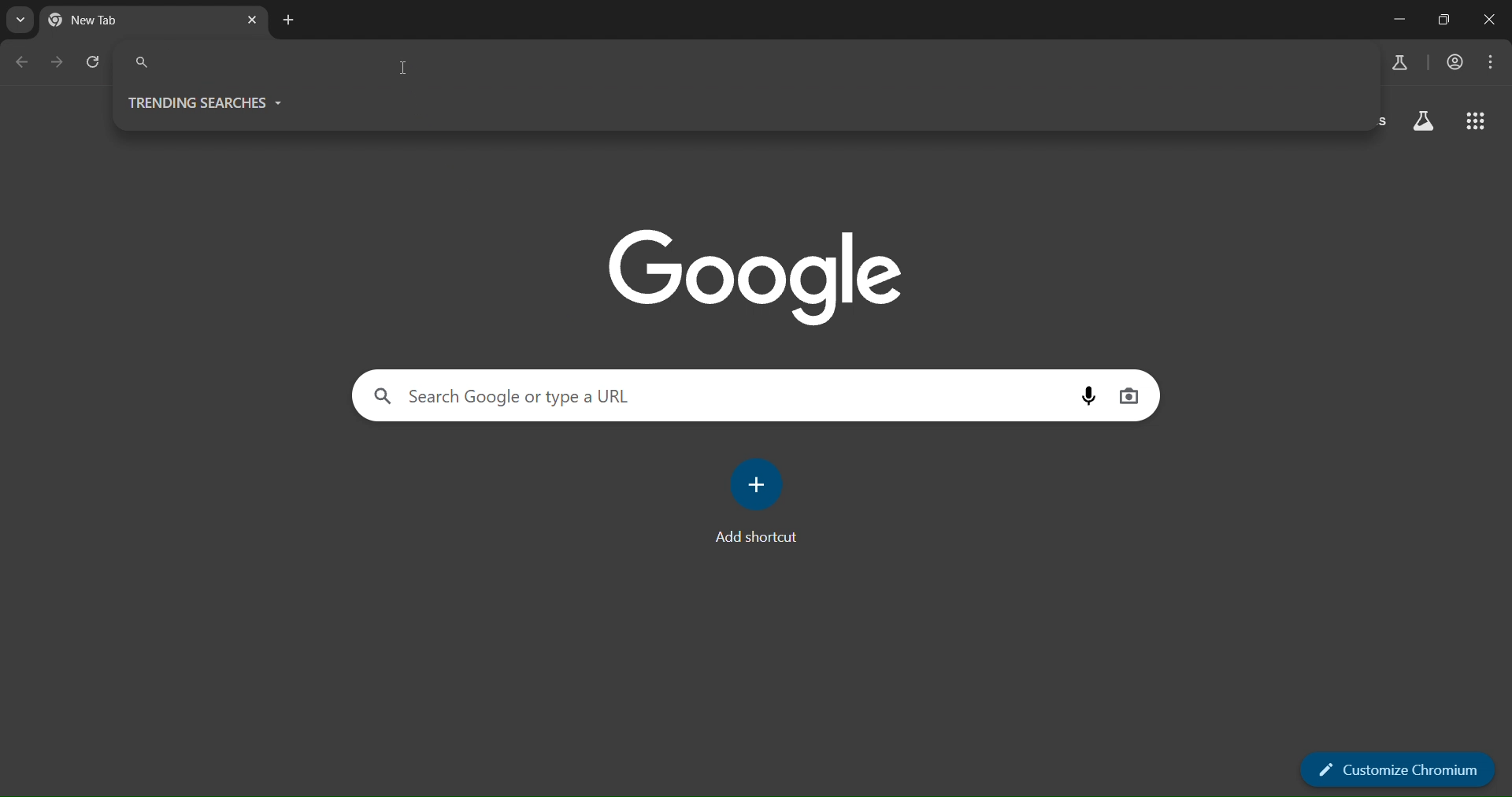  What do you see at coordinates (1425, 124) in the screenshot?
I see `search labs` at bounding box center [1425, 124].